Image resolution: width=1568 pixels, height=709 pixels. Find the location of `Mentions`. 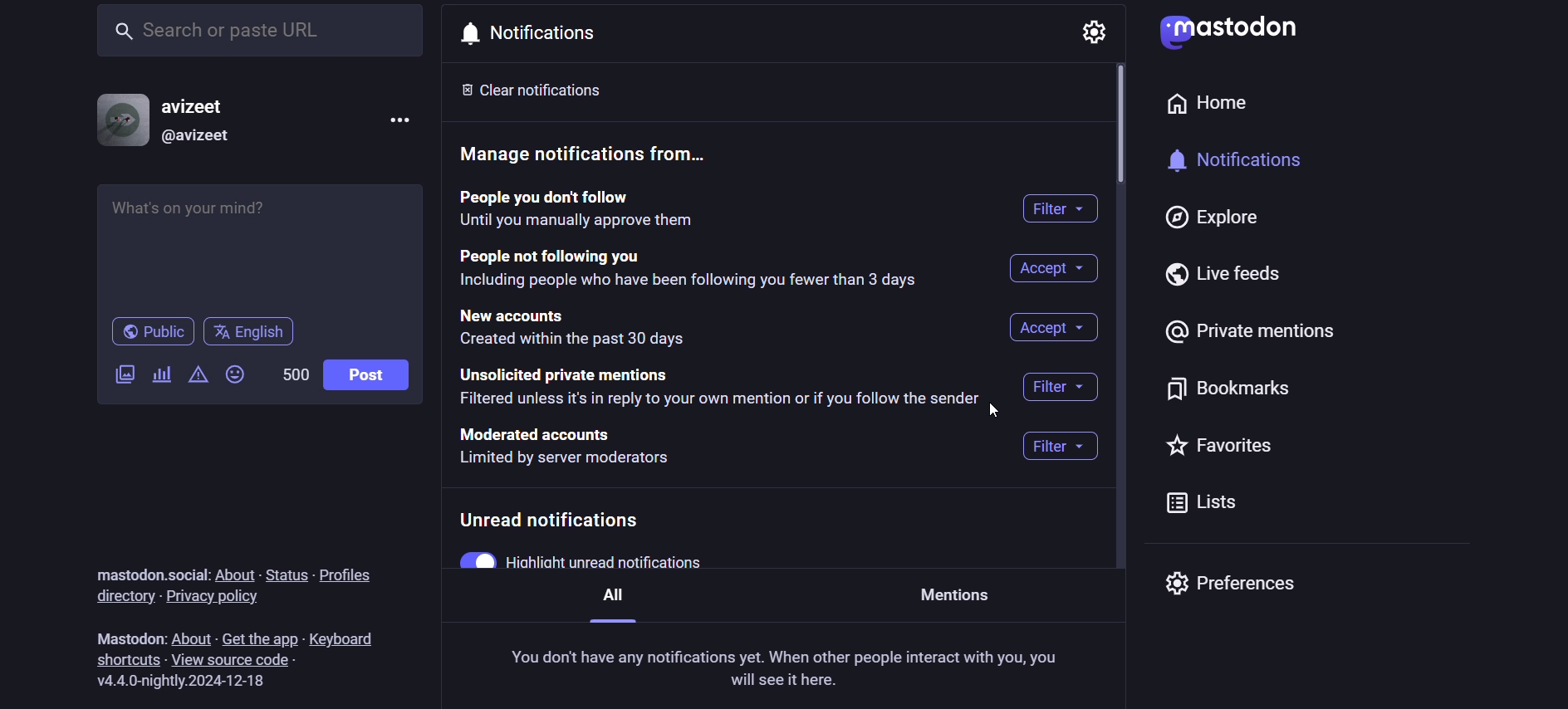

Mentions is located at coordinates (956, 591).